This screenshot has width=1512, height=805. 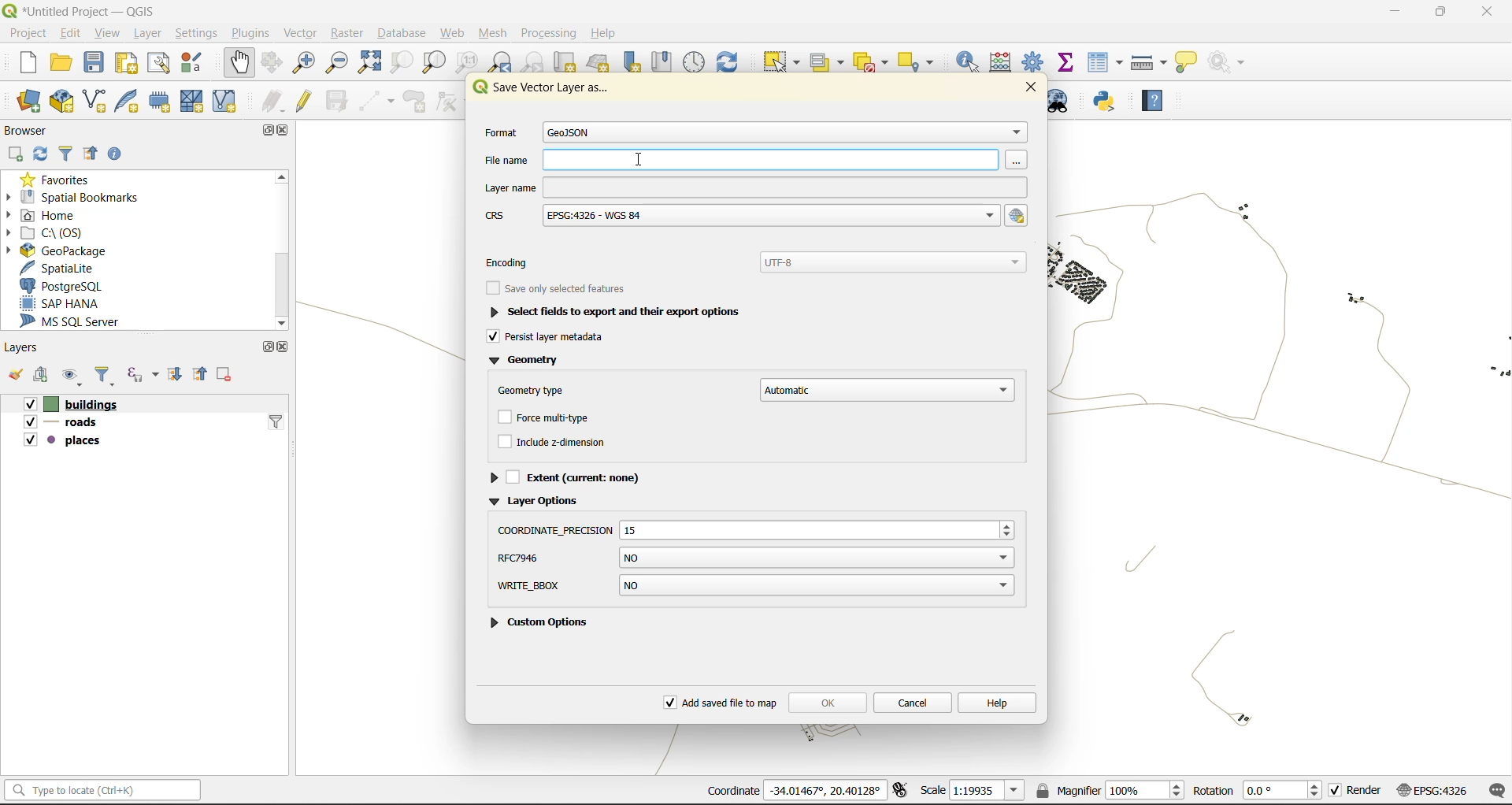 I want to click on select value, so click(x=828, y=62).